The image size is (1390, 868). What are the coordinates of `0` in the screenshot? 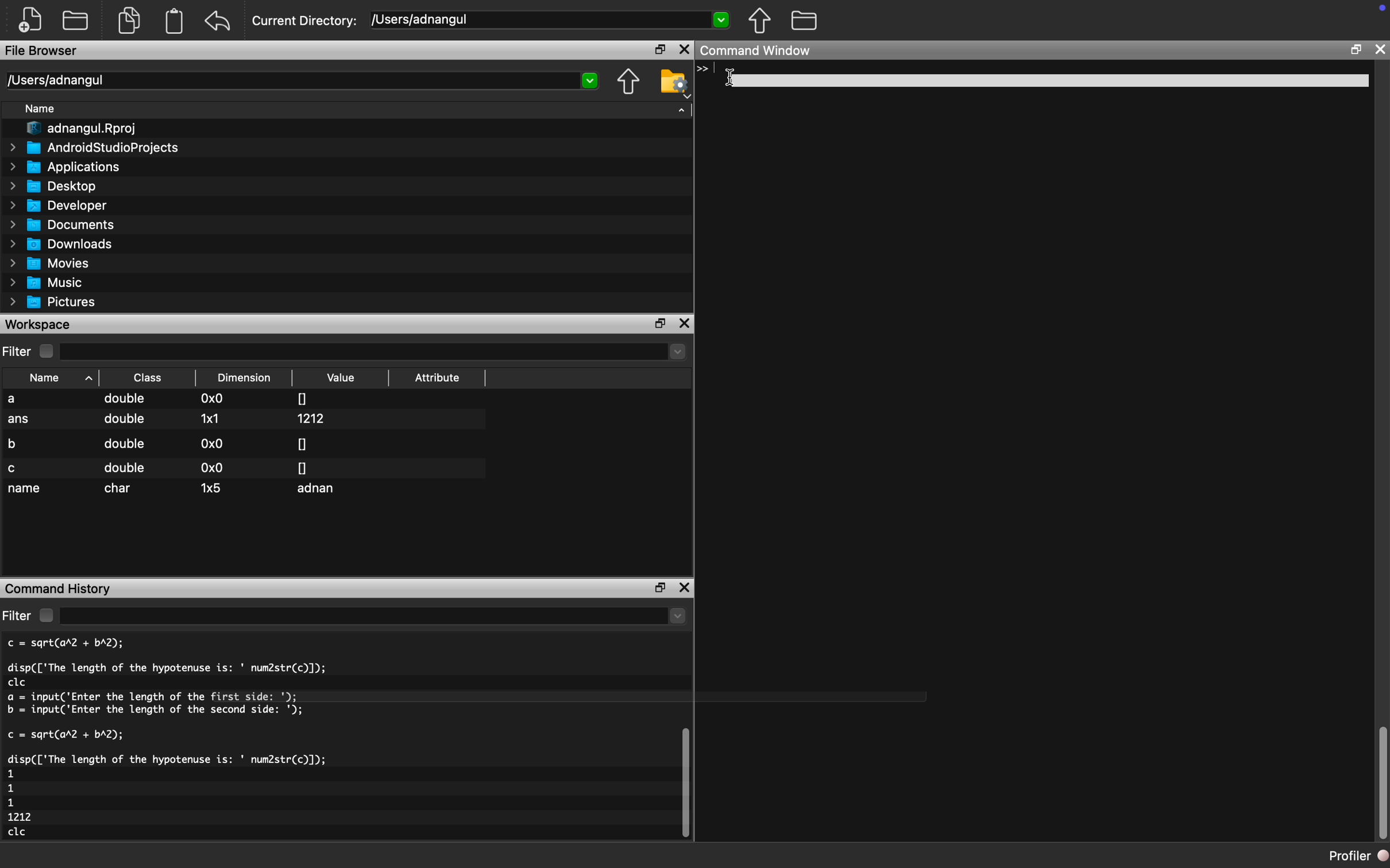 It's located at (303, 467).